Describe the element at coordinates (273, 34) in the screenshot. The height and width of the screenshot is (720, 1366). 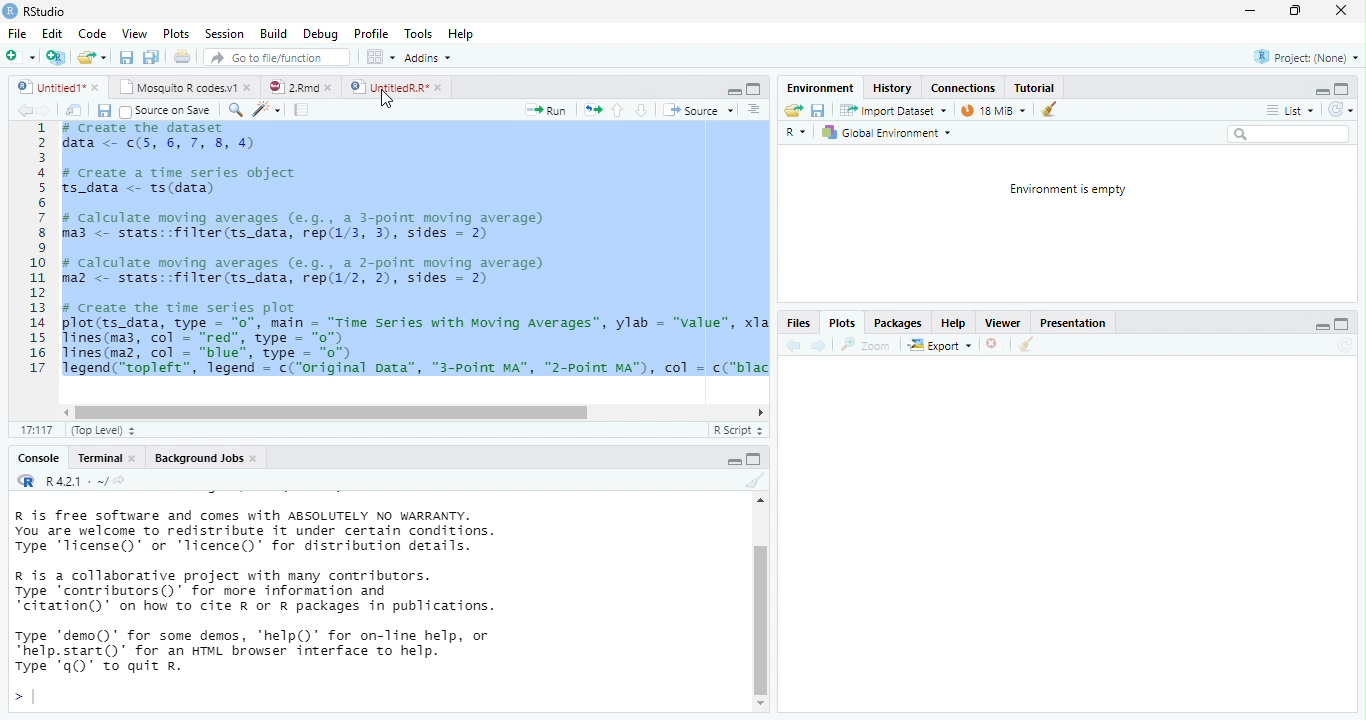
I see `Build` at that location.